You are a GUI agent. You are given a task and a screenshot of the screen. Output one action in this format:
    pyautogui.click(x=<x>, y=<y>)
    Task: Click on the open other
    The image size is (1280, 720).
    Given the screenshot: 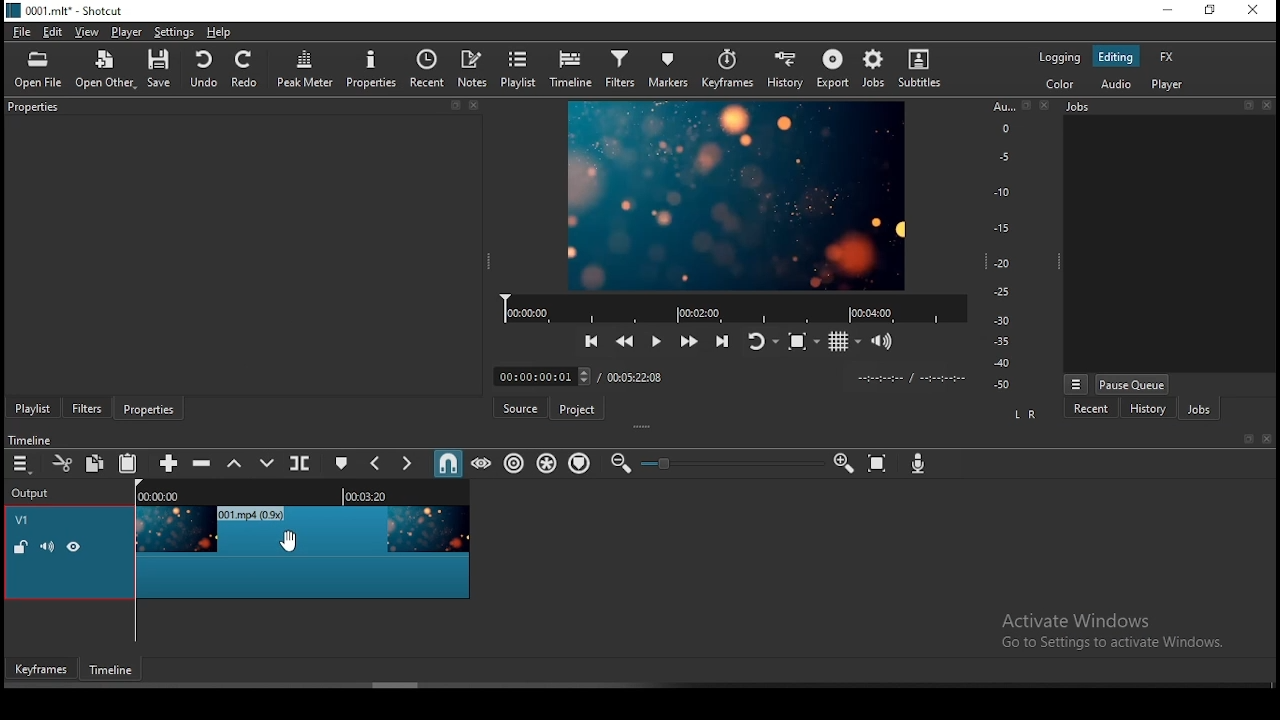 What is the action you would take?
    pyautogui.click(x=106, y=72)
    